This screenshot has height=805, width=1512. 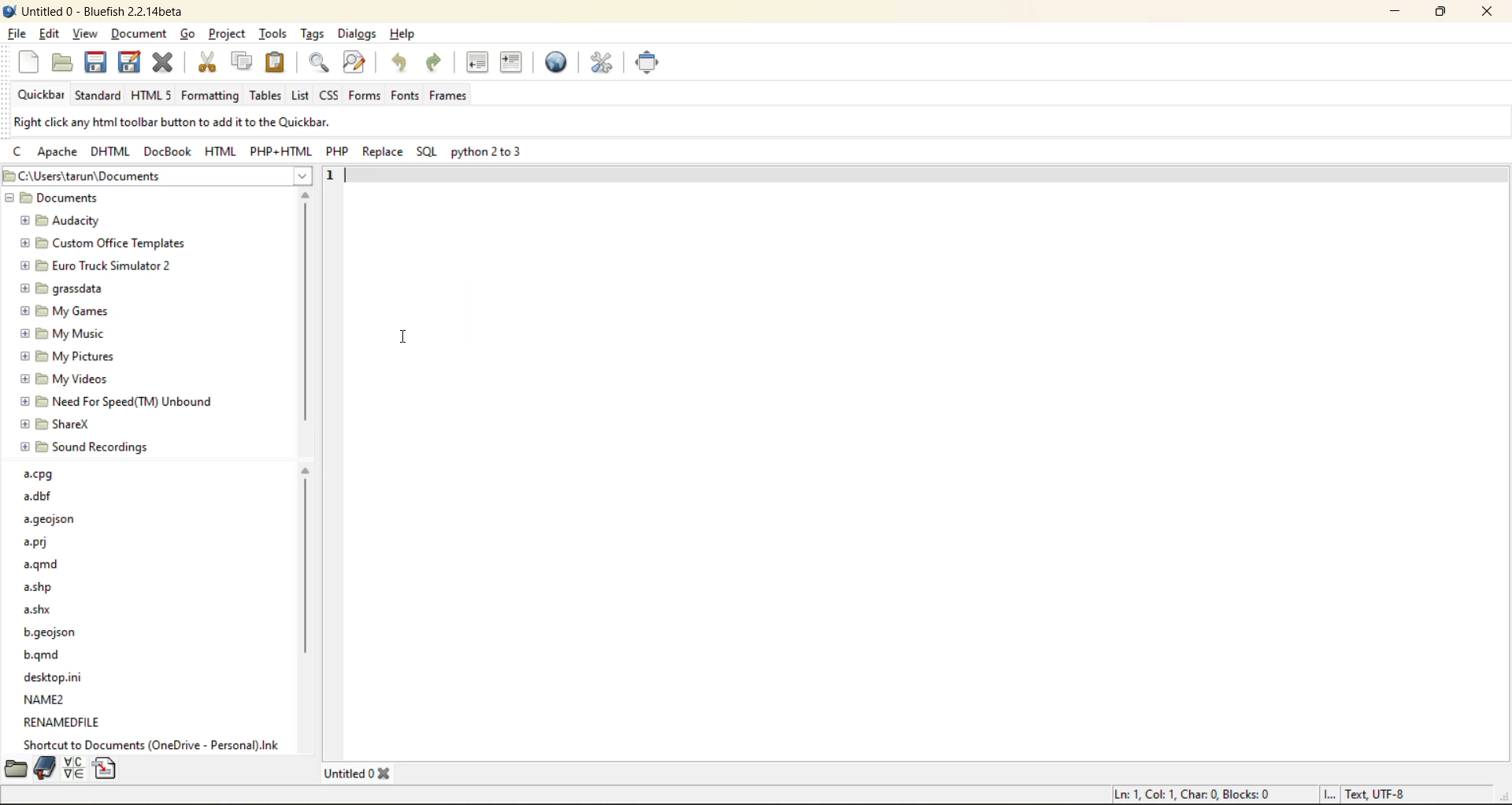 What do you see at coordinates (151, 95) in the screenshot?
I see `html 5` at bounding box center [151, 95].